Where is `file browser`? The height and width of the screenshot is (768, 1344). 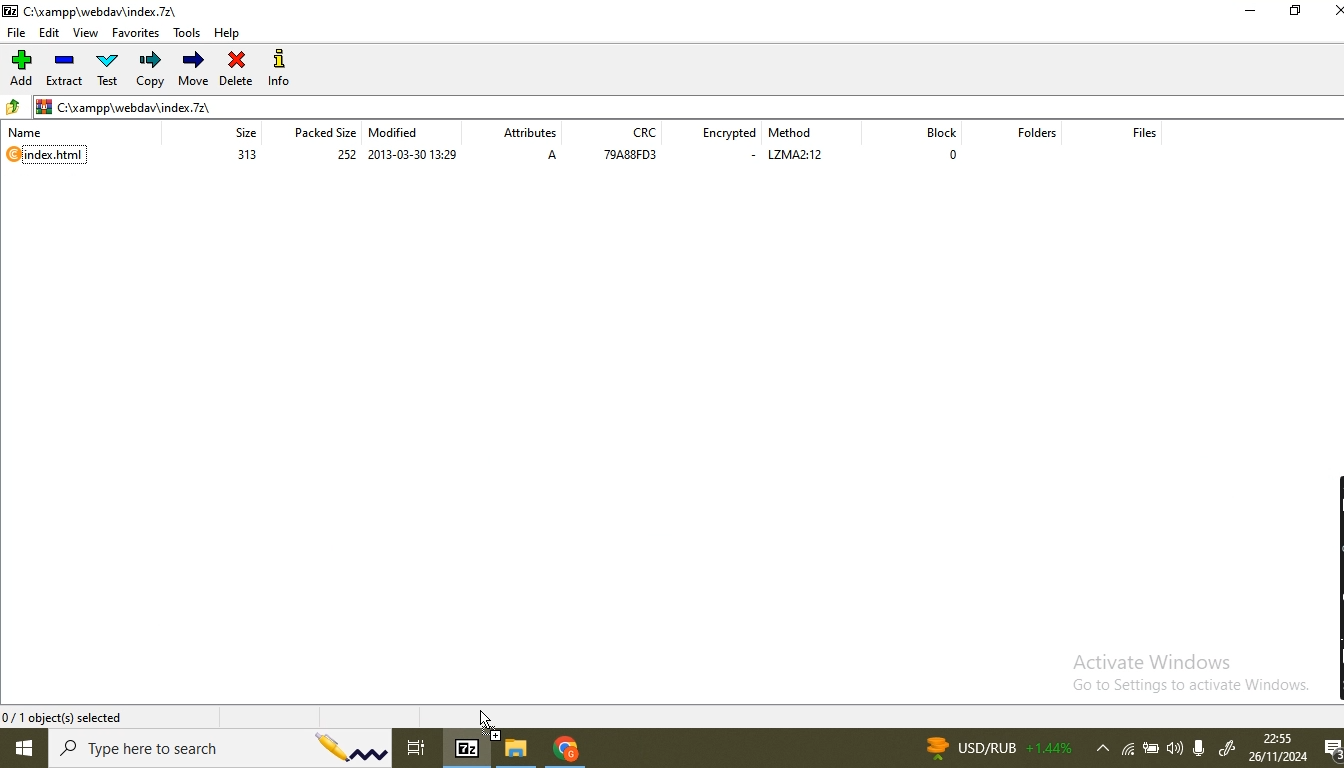 file browser is located at coordinates (519, 749).